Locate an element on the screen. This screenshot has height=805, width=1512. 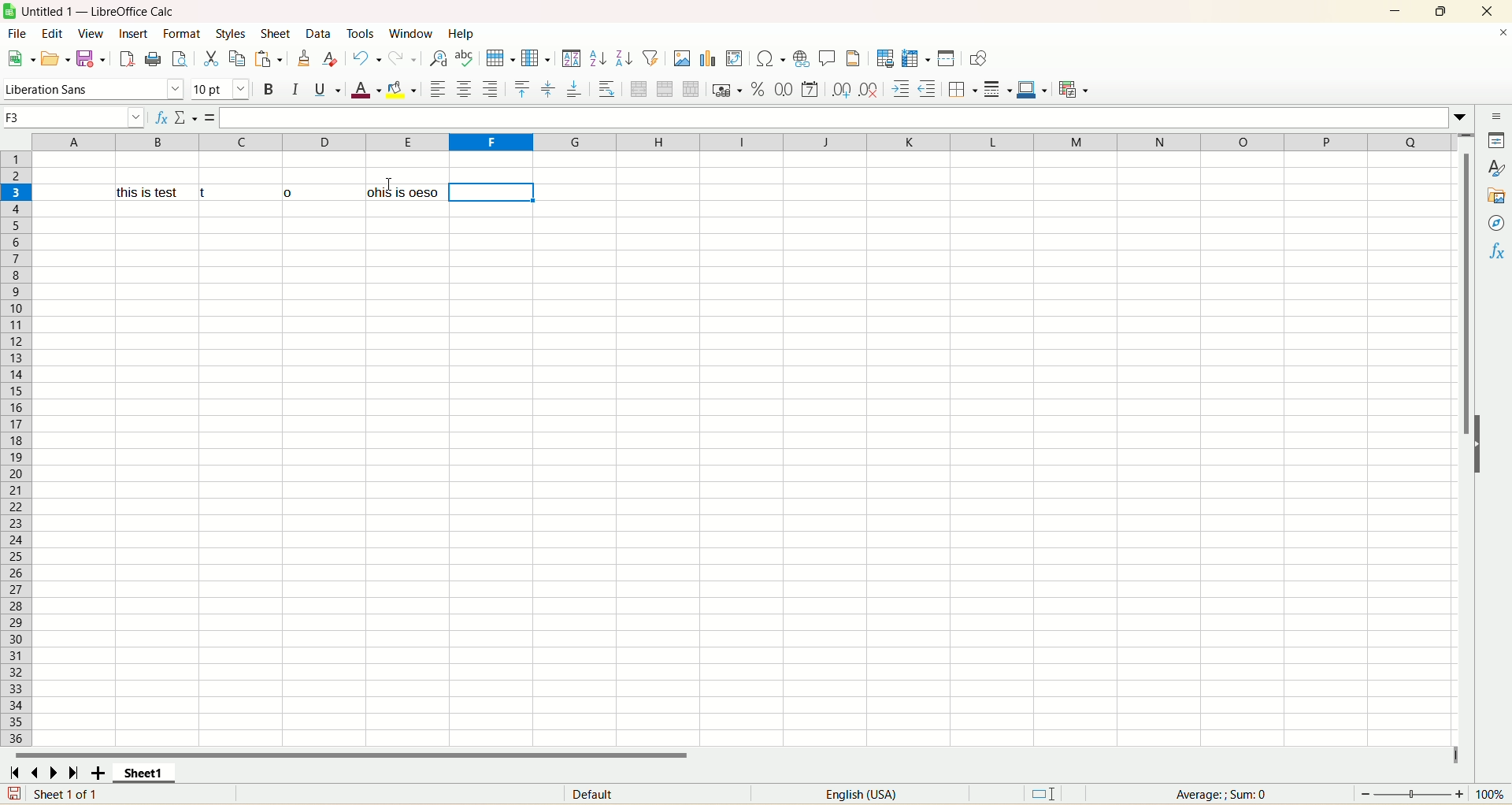
vertical scroll bar is located at coordinates (1462, 460).